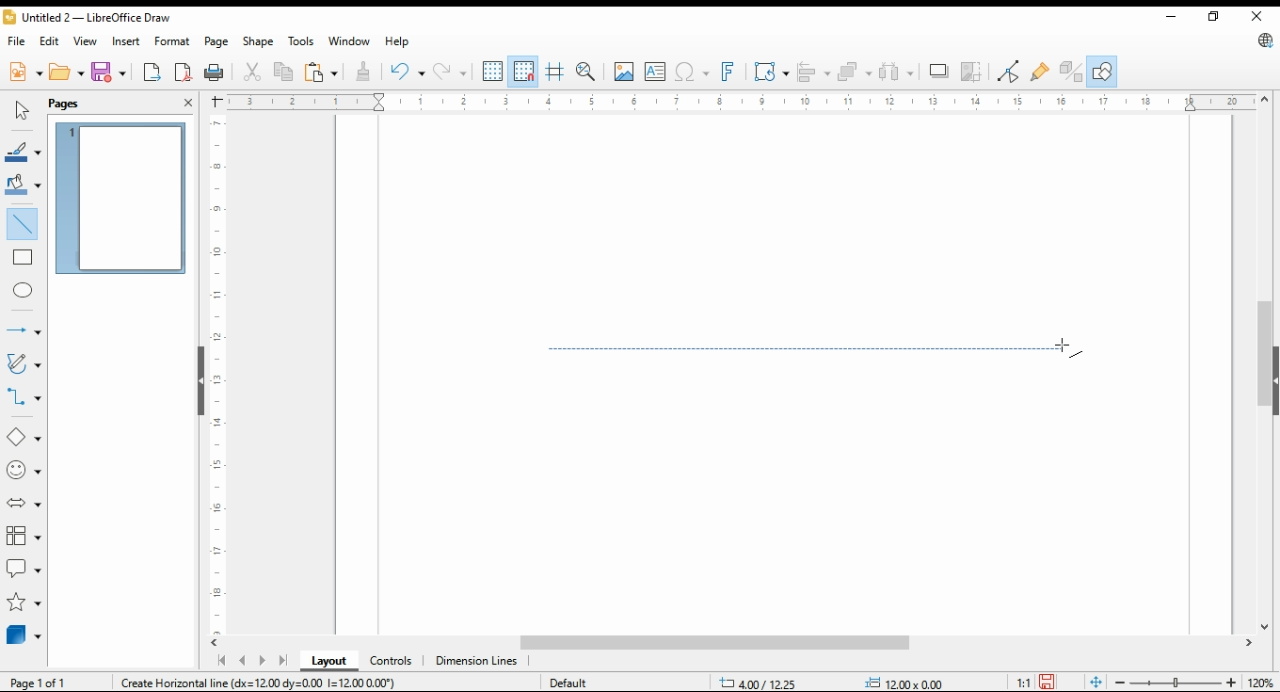 The height and width of the screenshot is (692, 1280). What do you see at coordinates (770, 71) in the screenshot?
I see `transformations` at bounding box center [770, 71].